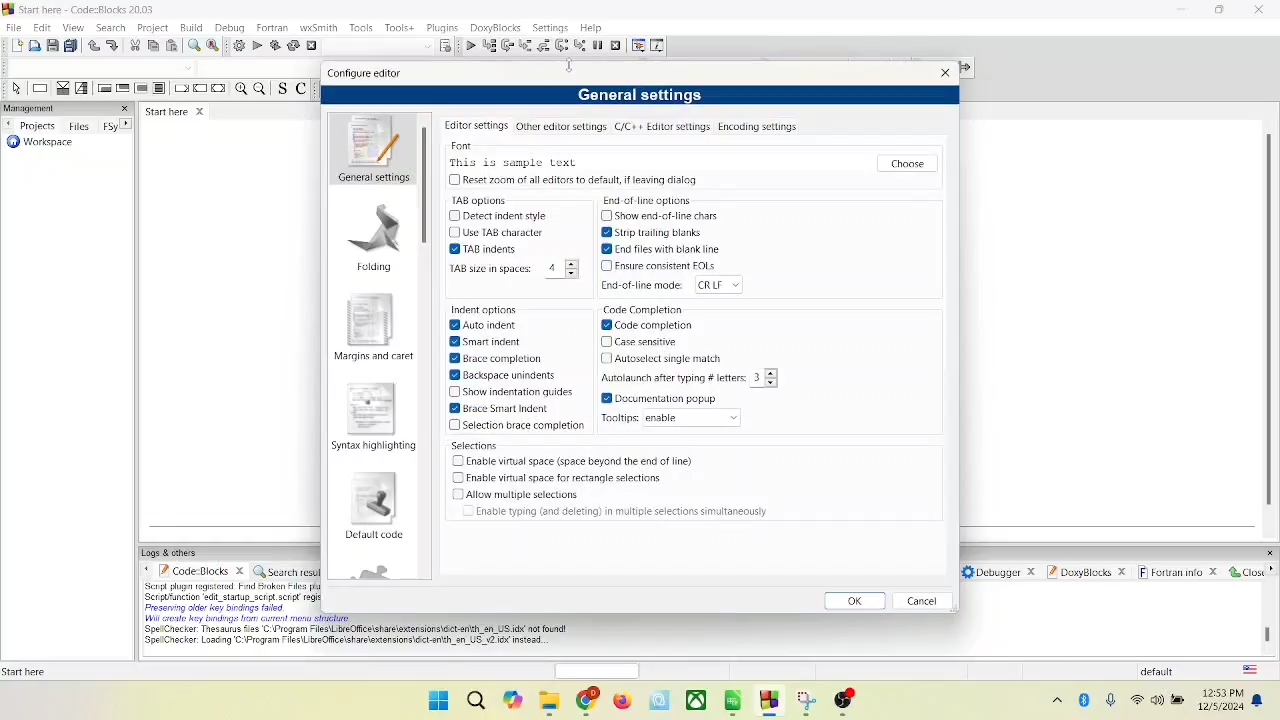 The height and width of the screenshot is (720, 1280). What do you see at coordinates (473, 445) in the screenshot?
I see `selections` at bounding box center [473, 445].